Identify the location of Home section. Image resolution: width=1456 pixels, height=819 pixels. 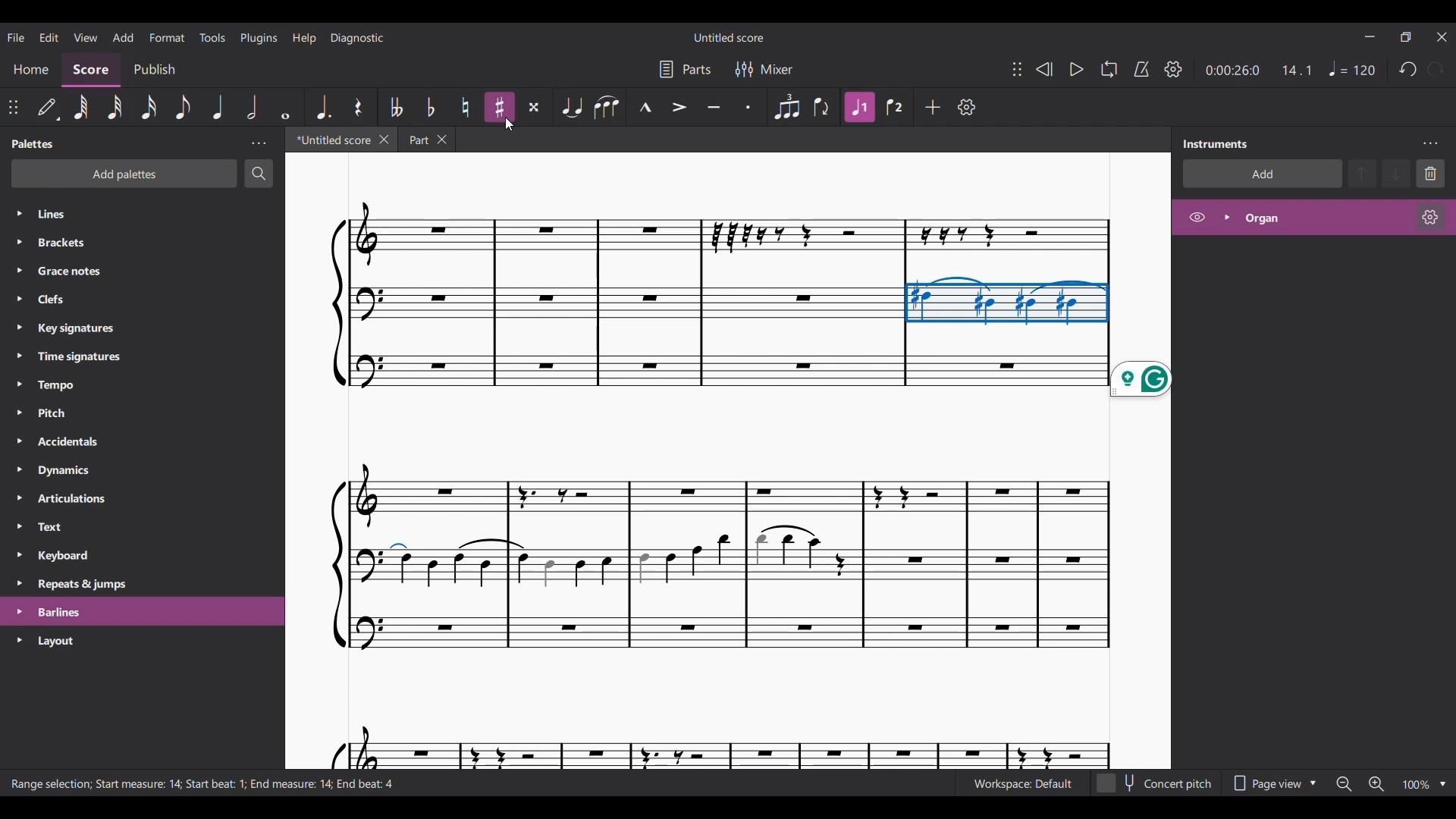
(30, 69).